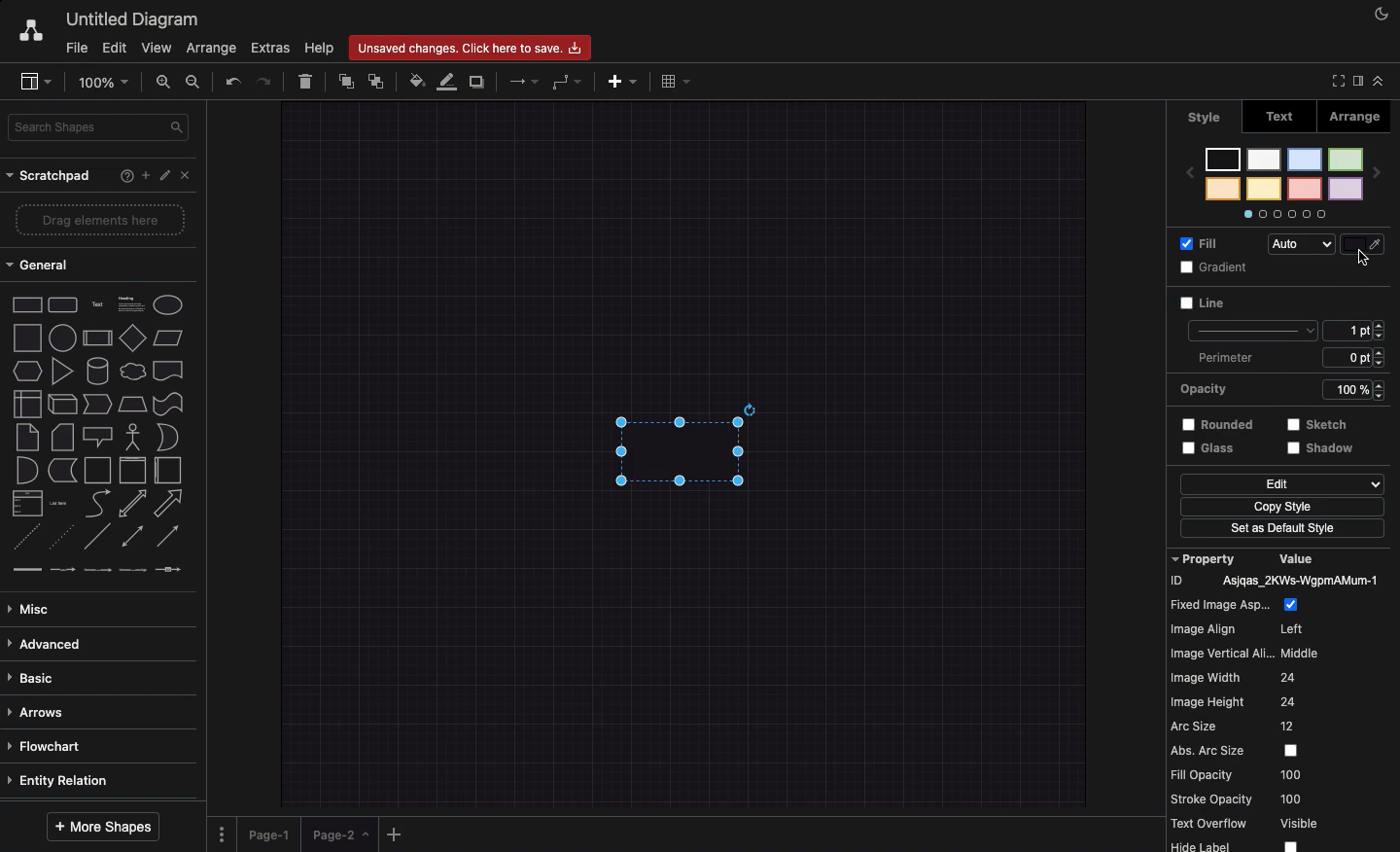 The width and height of the screenshot is (1400, 852). I want to click on vertical container, so click(131, 471).